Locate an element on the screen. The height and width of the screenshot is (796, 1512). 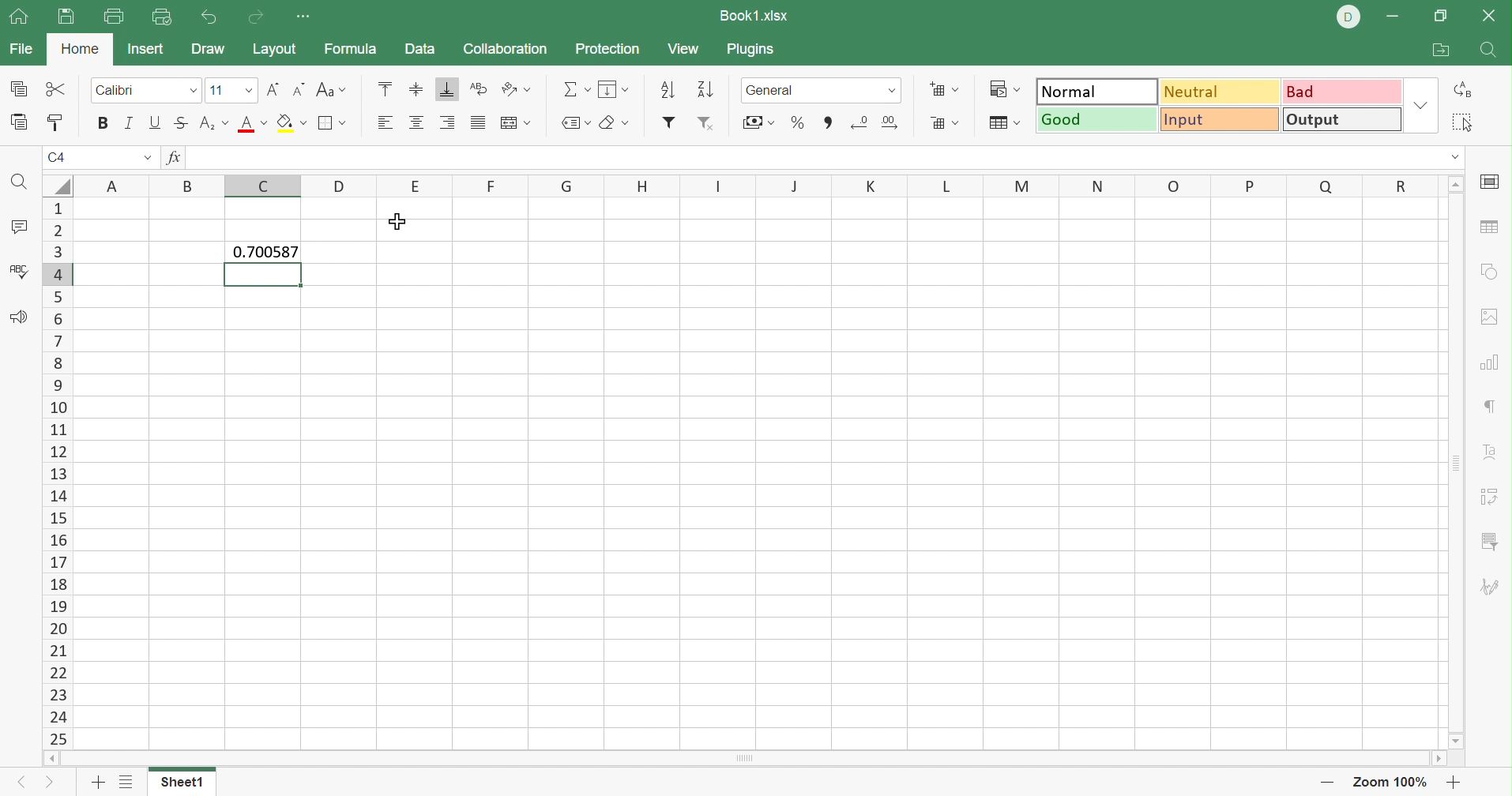
Good is located at coordinates (1097, 121).